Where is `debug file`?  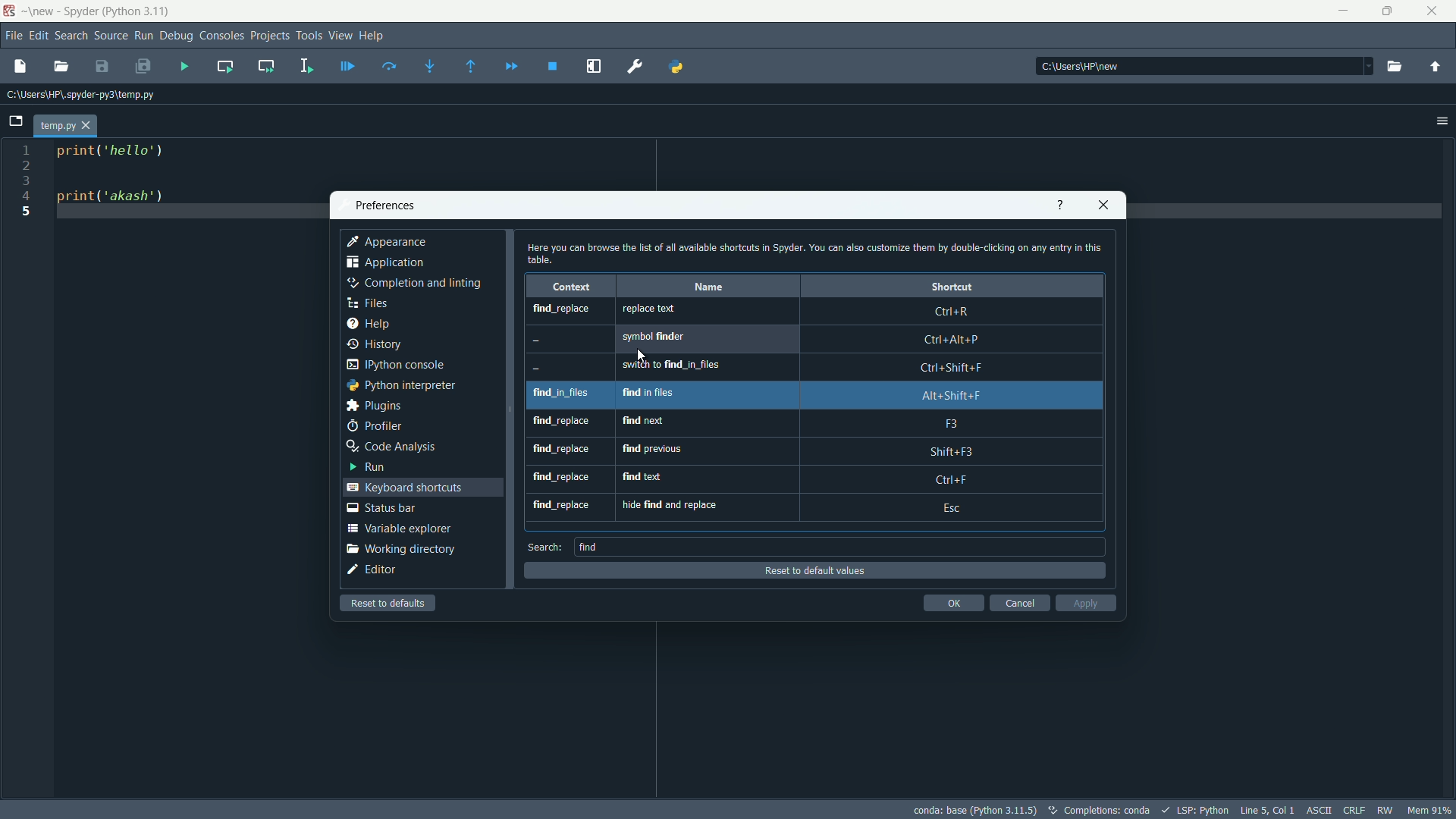
debug file is located at coordinates (351, 70).